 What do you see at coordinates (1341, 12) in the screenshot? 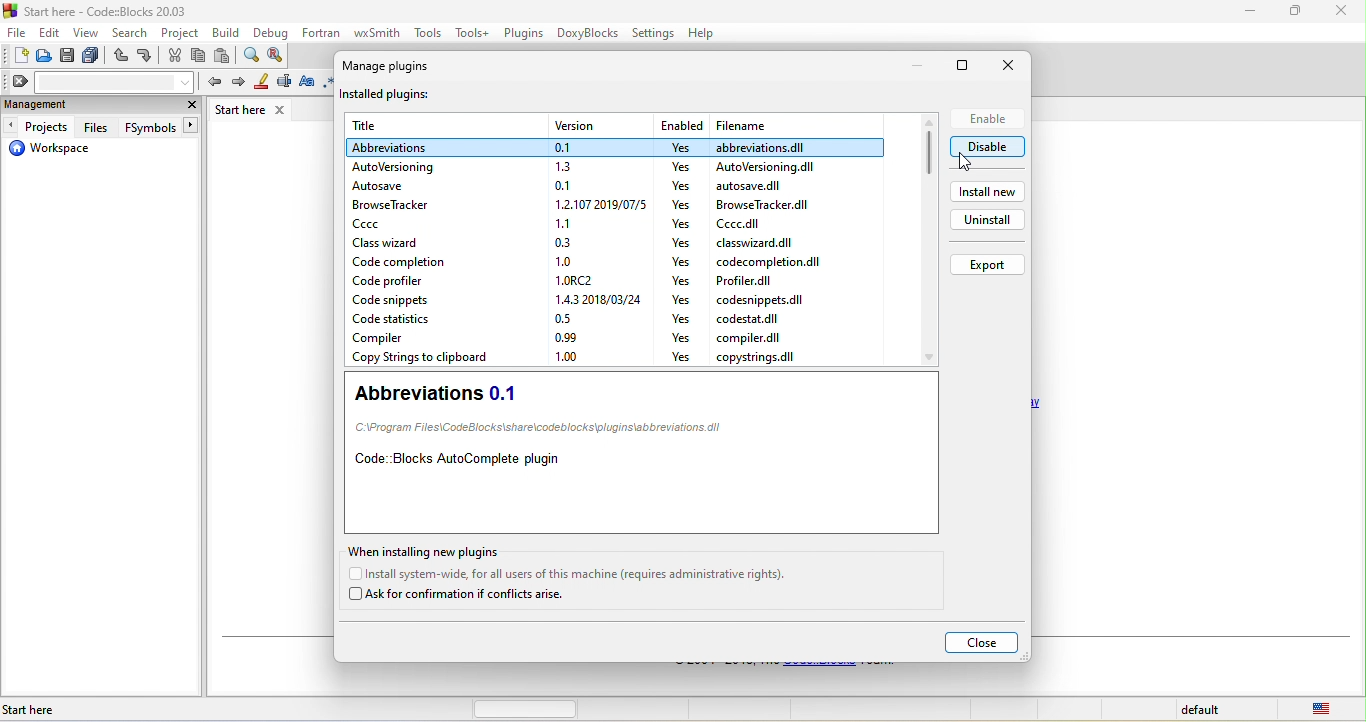
I see `close` at bounding box center [1341, 12].